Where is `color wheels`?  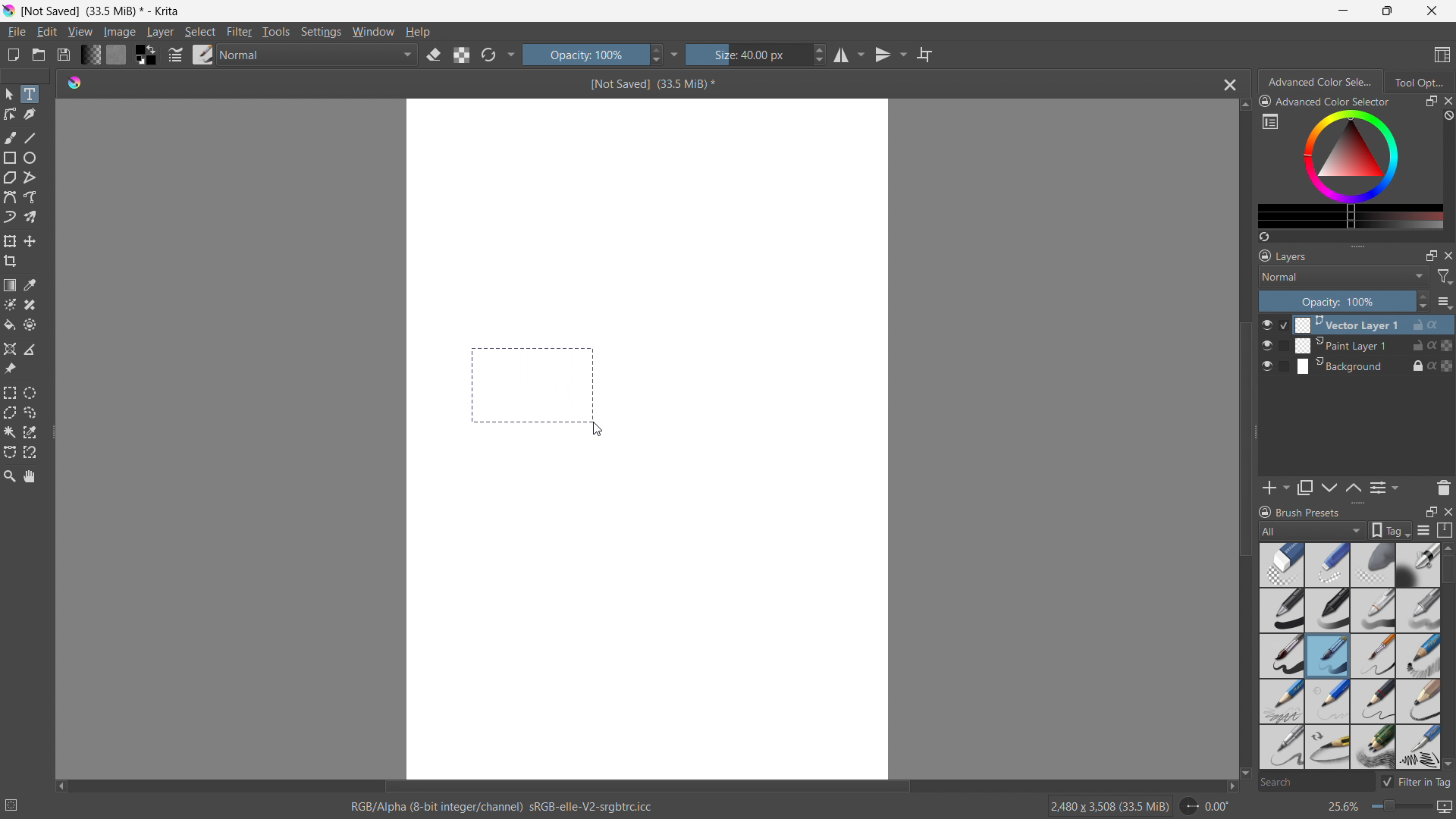 color wheels is located at coordinates (1351, 155).